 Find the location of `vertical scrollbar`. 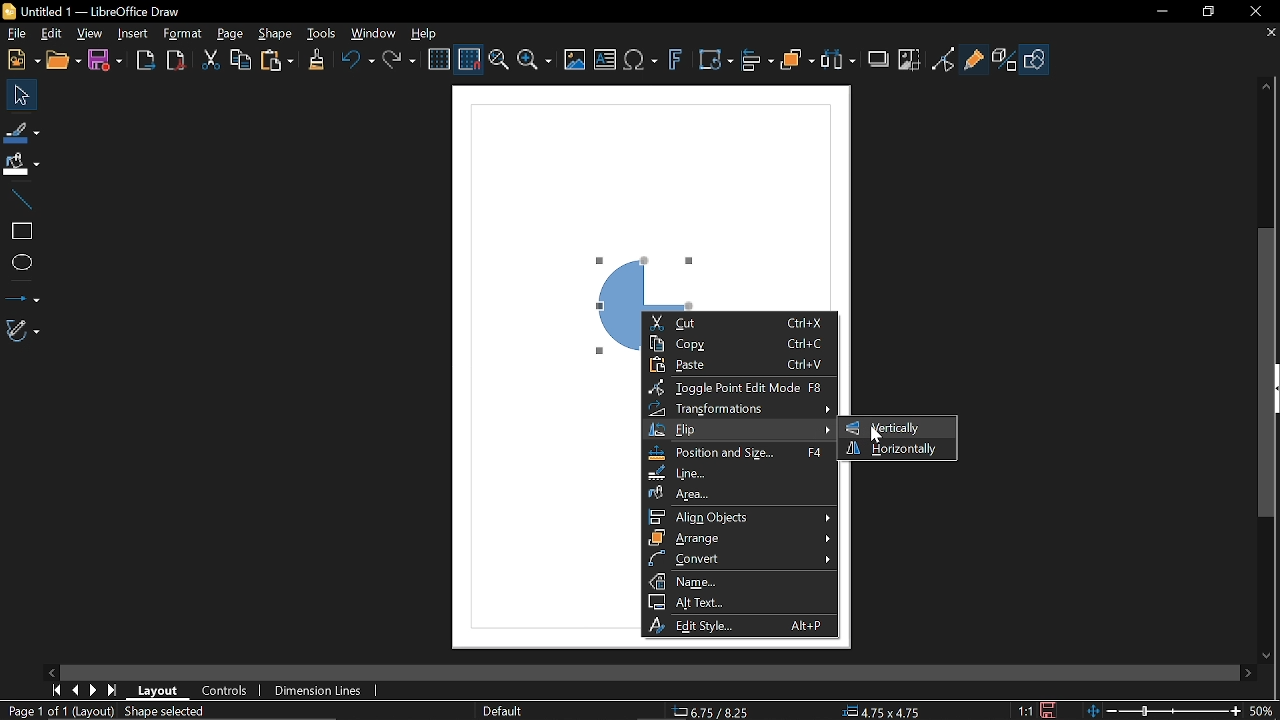

vertical scrollbar is located at coordinates (1268, 374).